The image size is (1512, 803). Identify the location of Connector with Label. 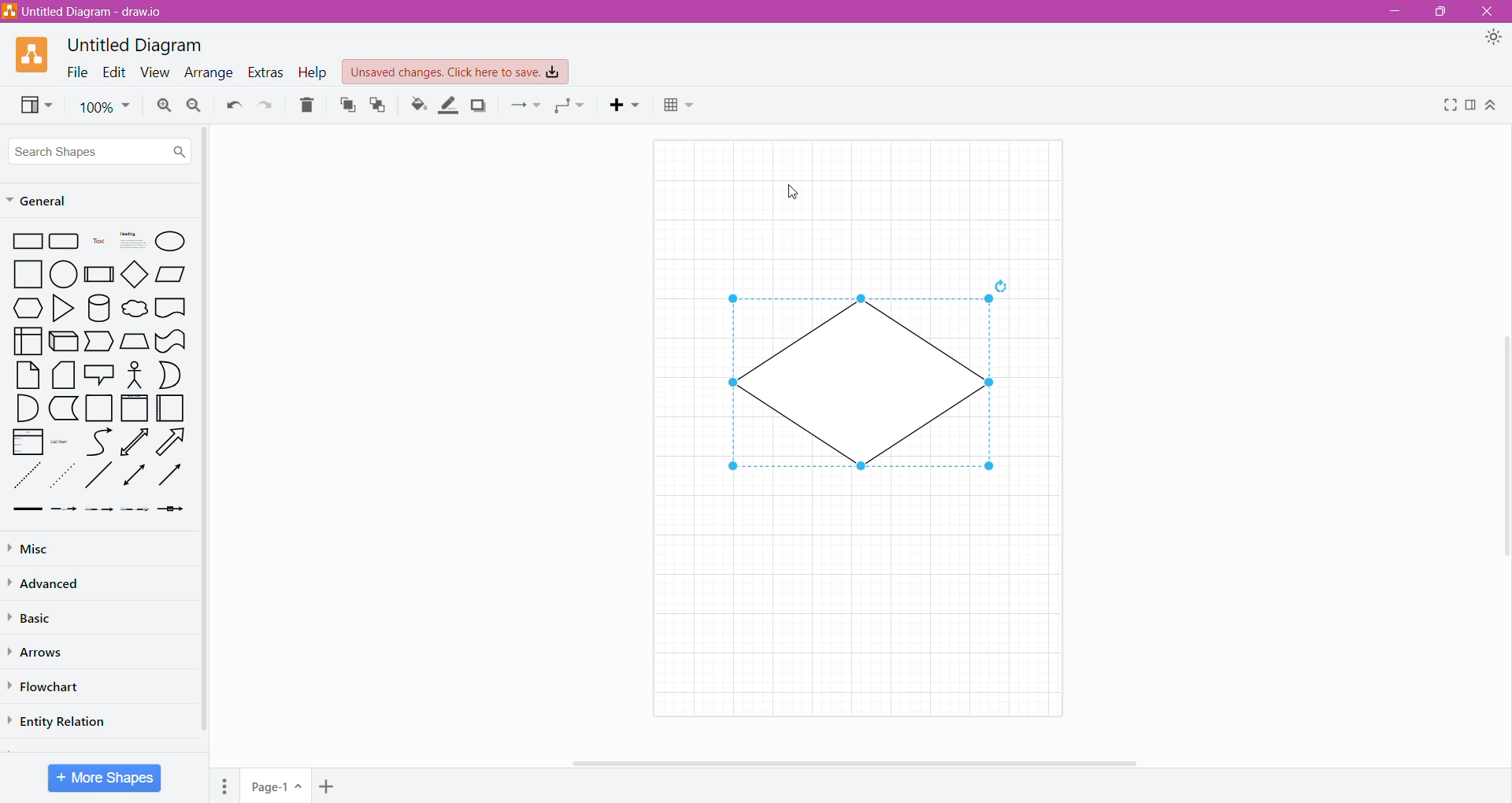
(65, 510).